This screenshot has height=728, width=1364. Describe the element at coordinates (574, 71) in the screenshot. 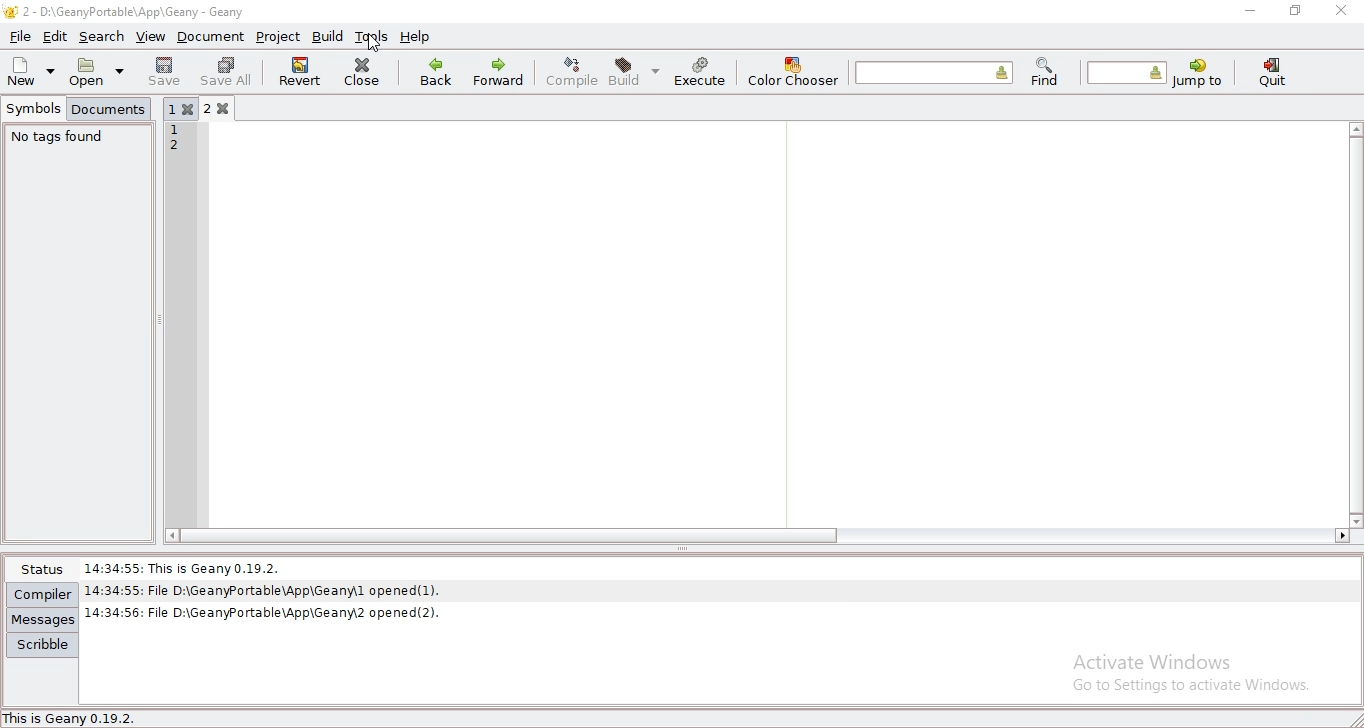

I see `compile` at that location.